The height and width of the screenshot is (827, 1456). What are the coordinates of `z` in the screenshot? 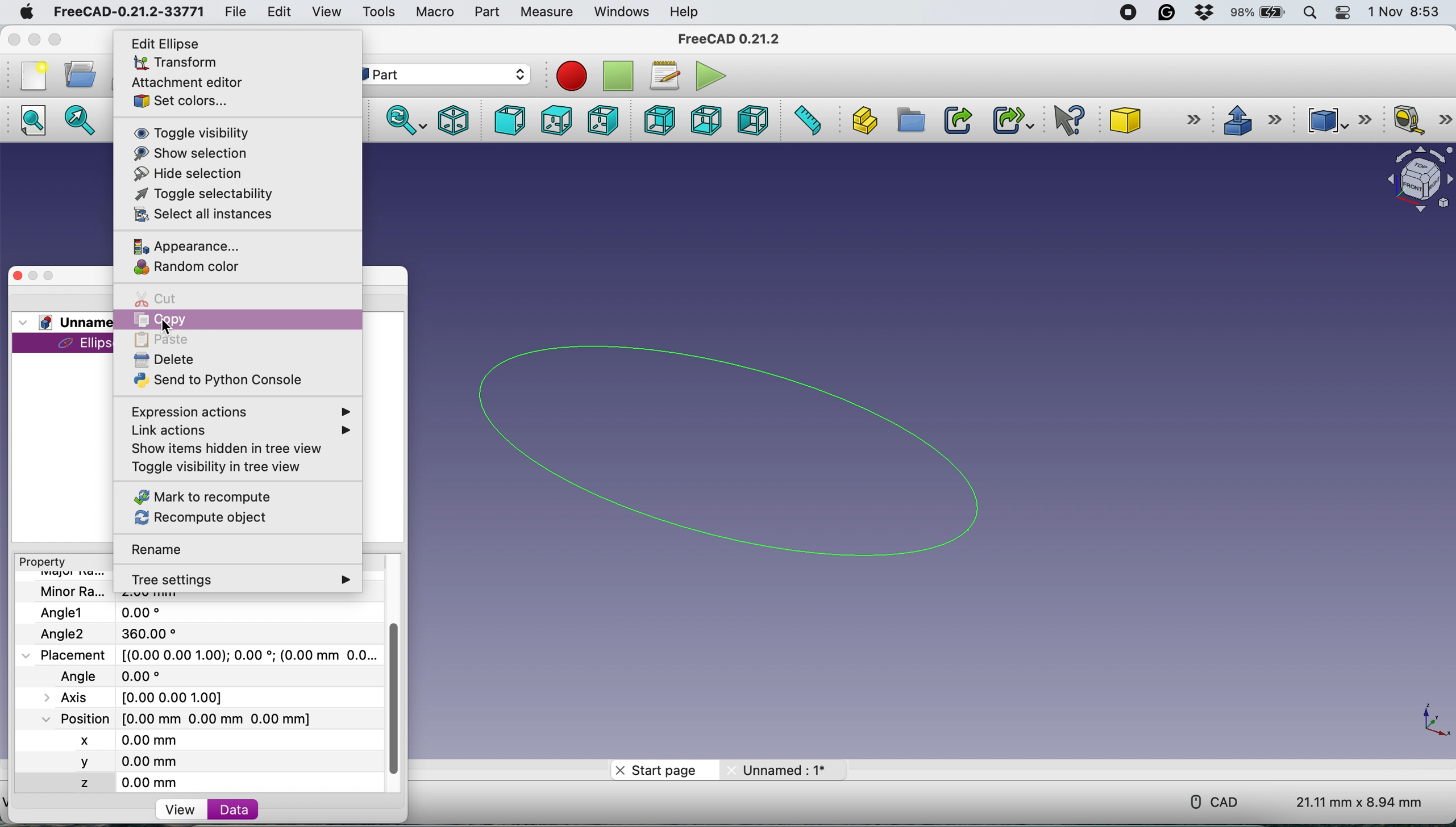 It's located at (117, 781).